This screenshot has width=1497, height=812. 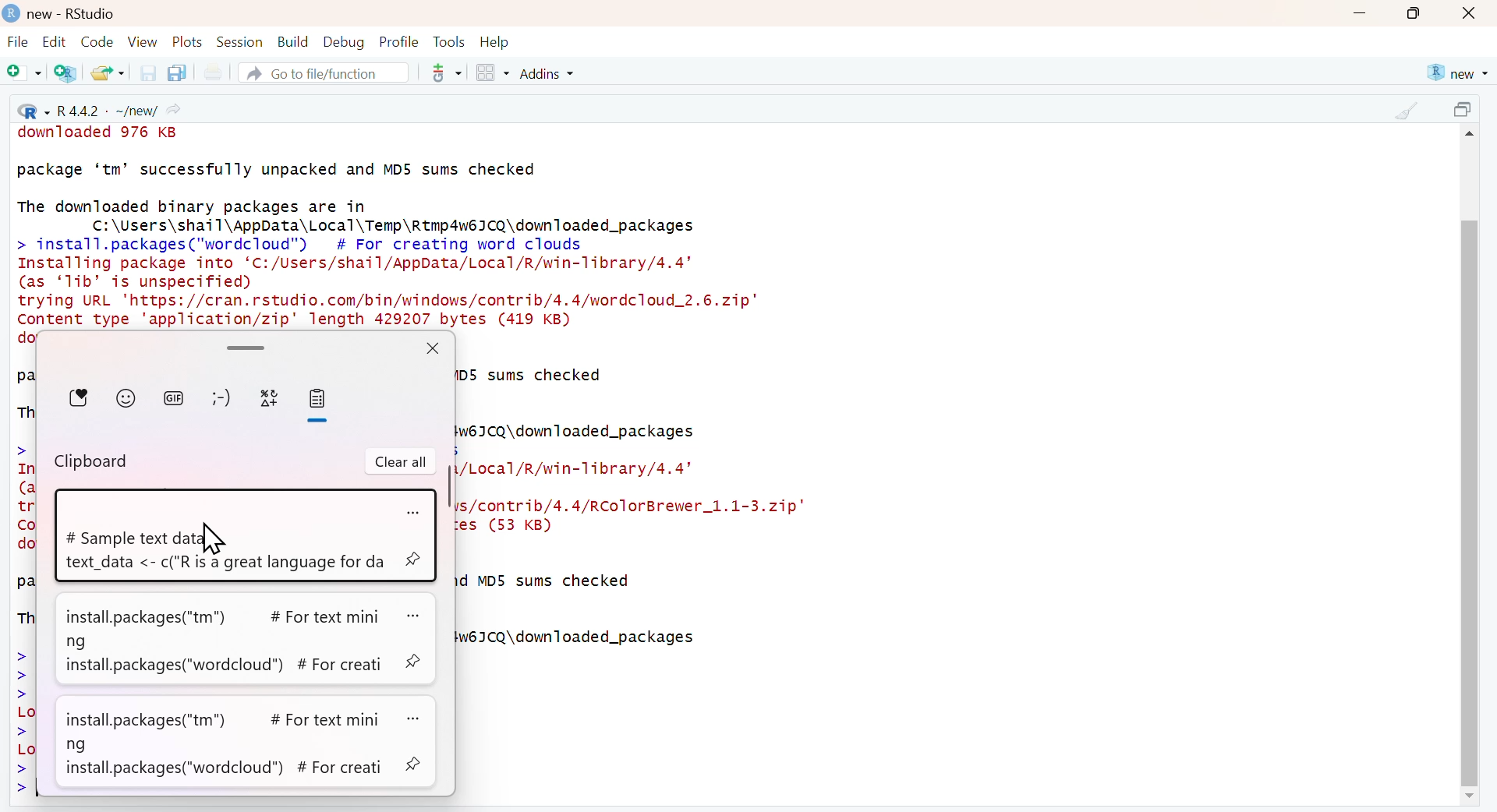 What do you see at coordinates (412, 511) in the screenshot?
I see `more options` at bounding box center [412, 511].